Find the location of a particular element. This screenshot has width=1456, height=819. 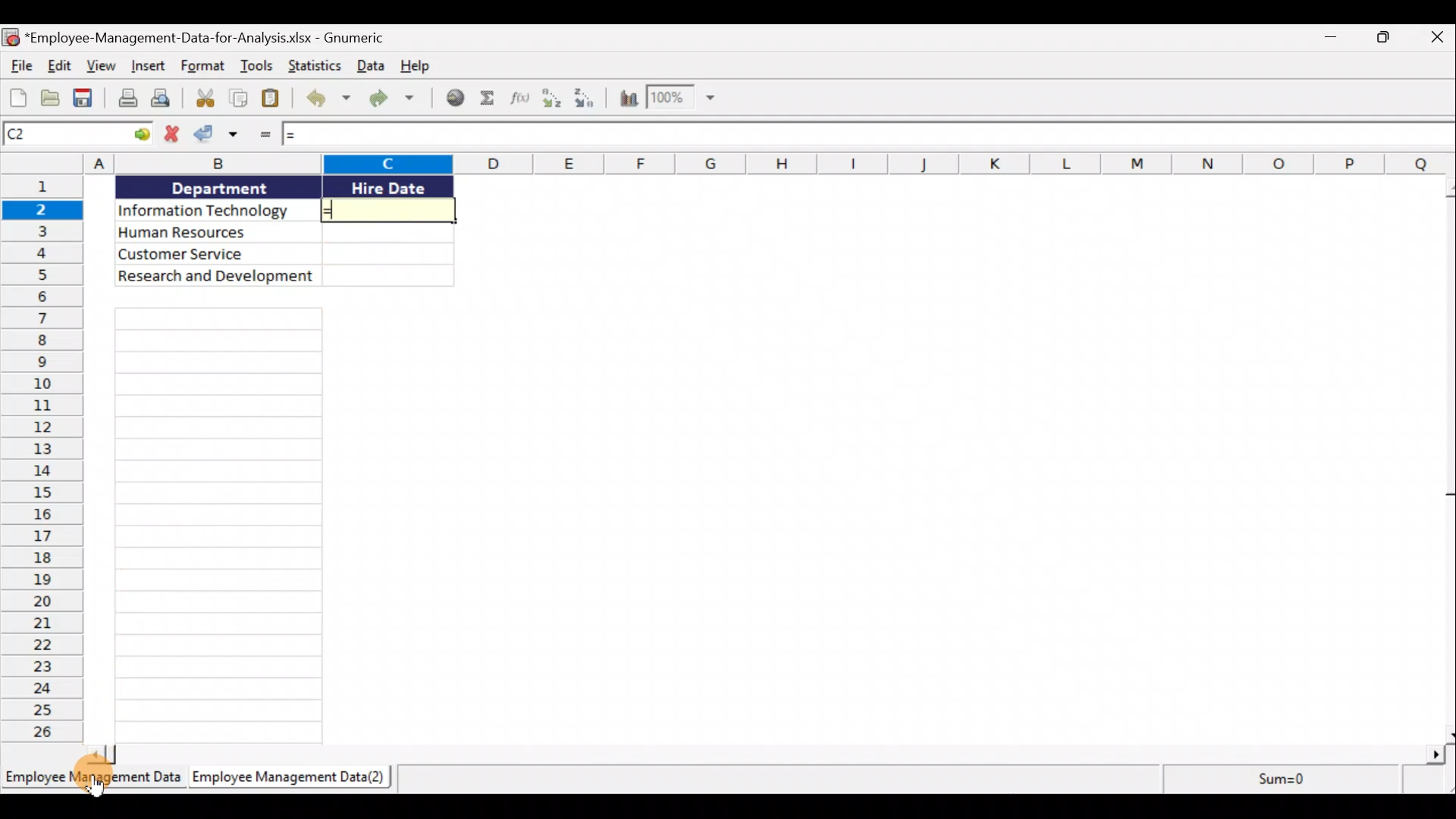

Print the current file is located at coordinates (124, 99).